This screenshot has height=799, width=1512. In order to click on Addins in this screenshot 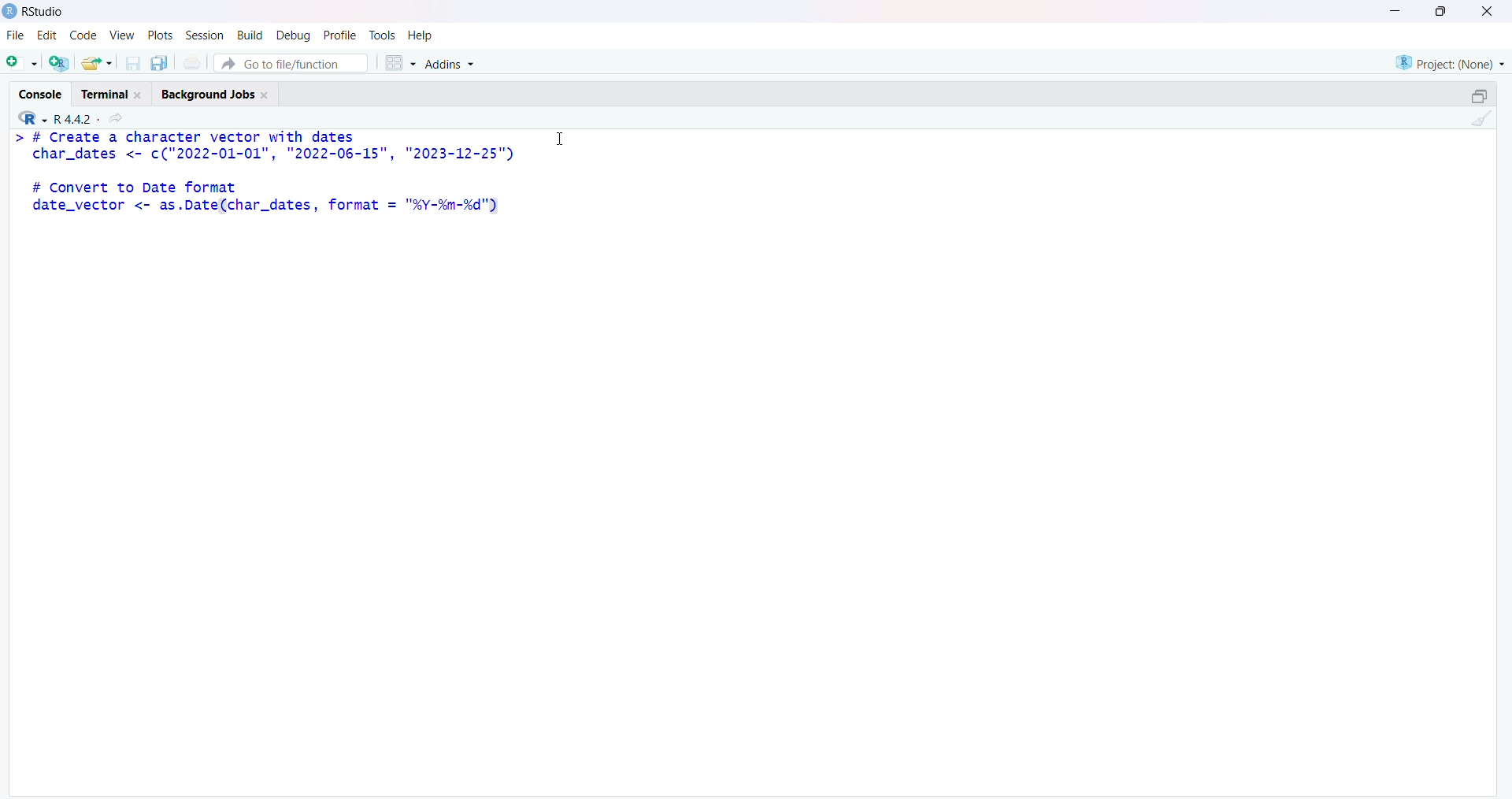, I will do `click(454, 65)`.